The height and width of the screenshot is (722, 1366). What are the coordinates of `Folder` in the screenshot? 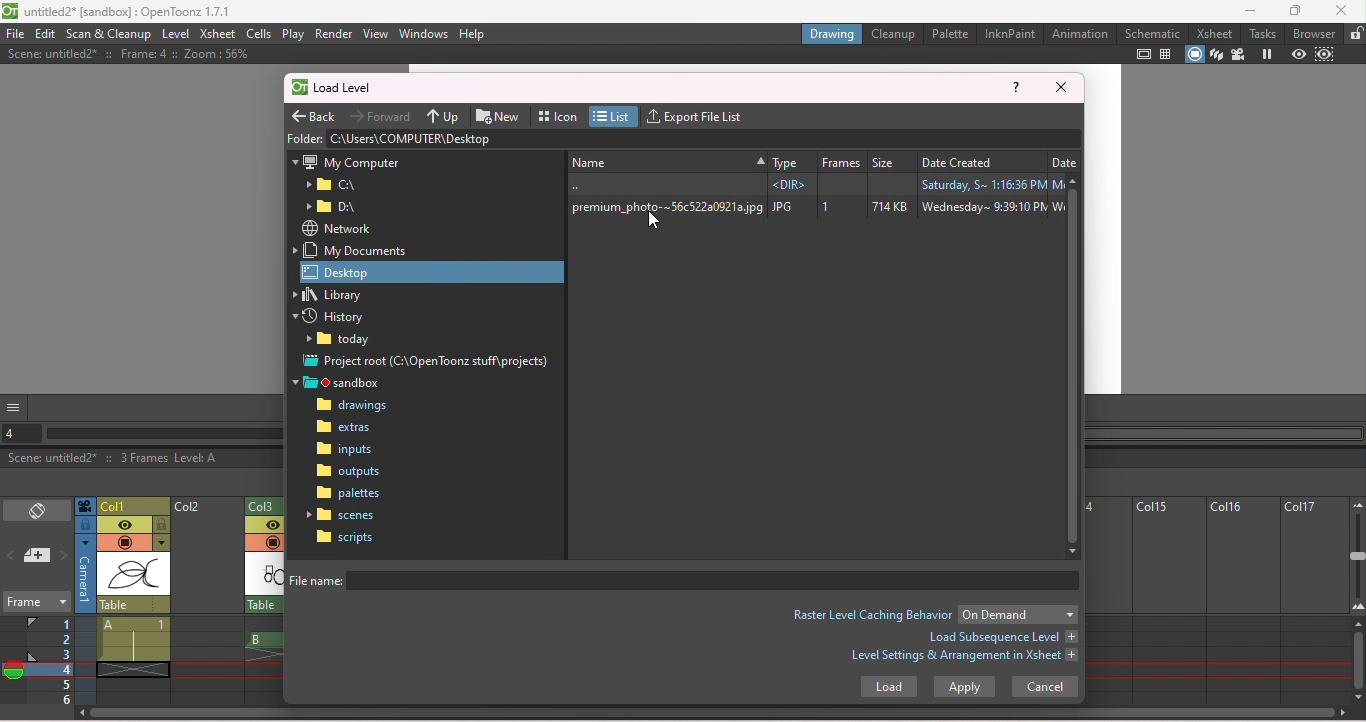 It's located at (344, 341).